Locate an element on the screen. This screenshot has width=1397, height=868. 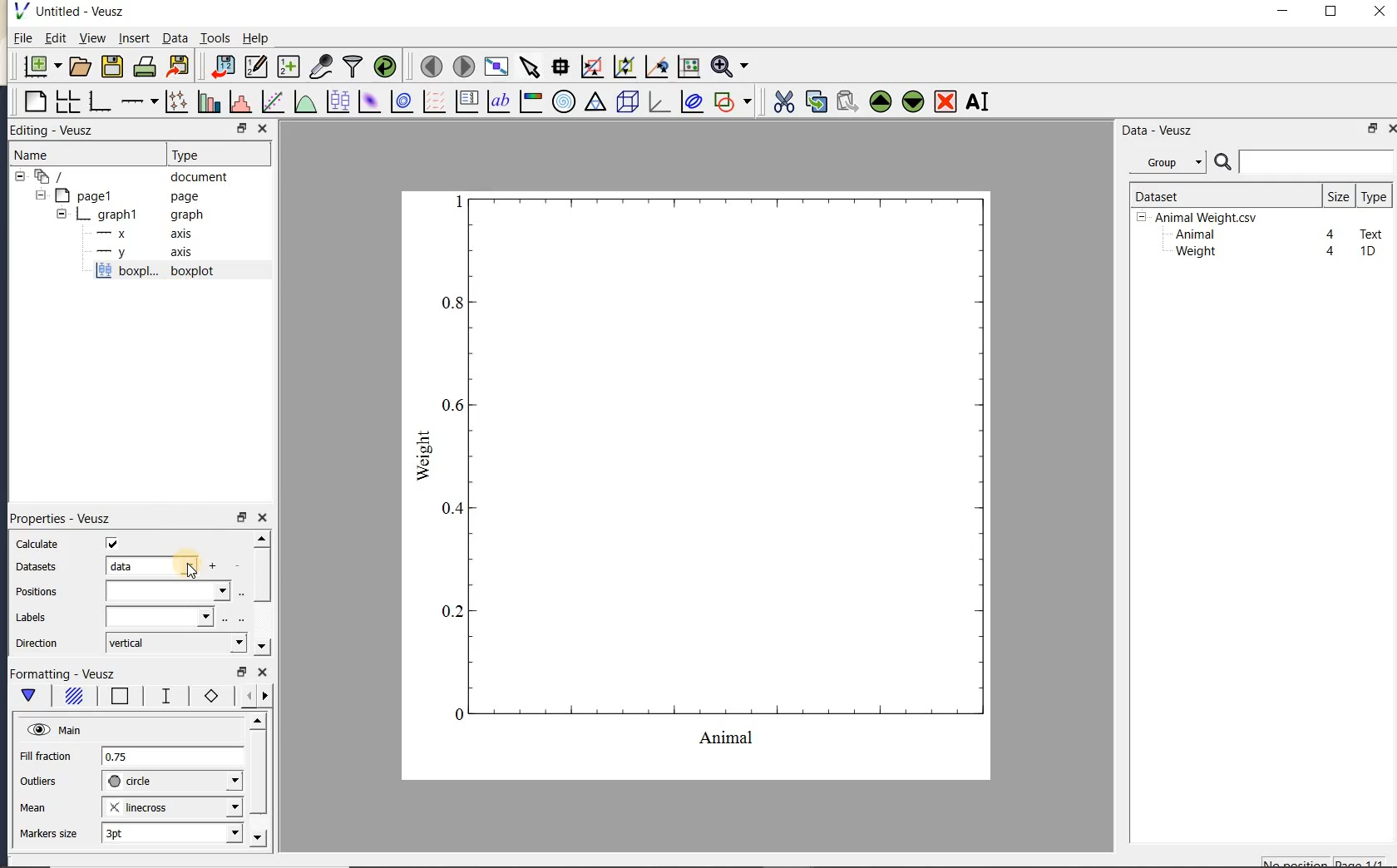
remove the selected widget is located at coordinates (944, 103).